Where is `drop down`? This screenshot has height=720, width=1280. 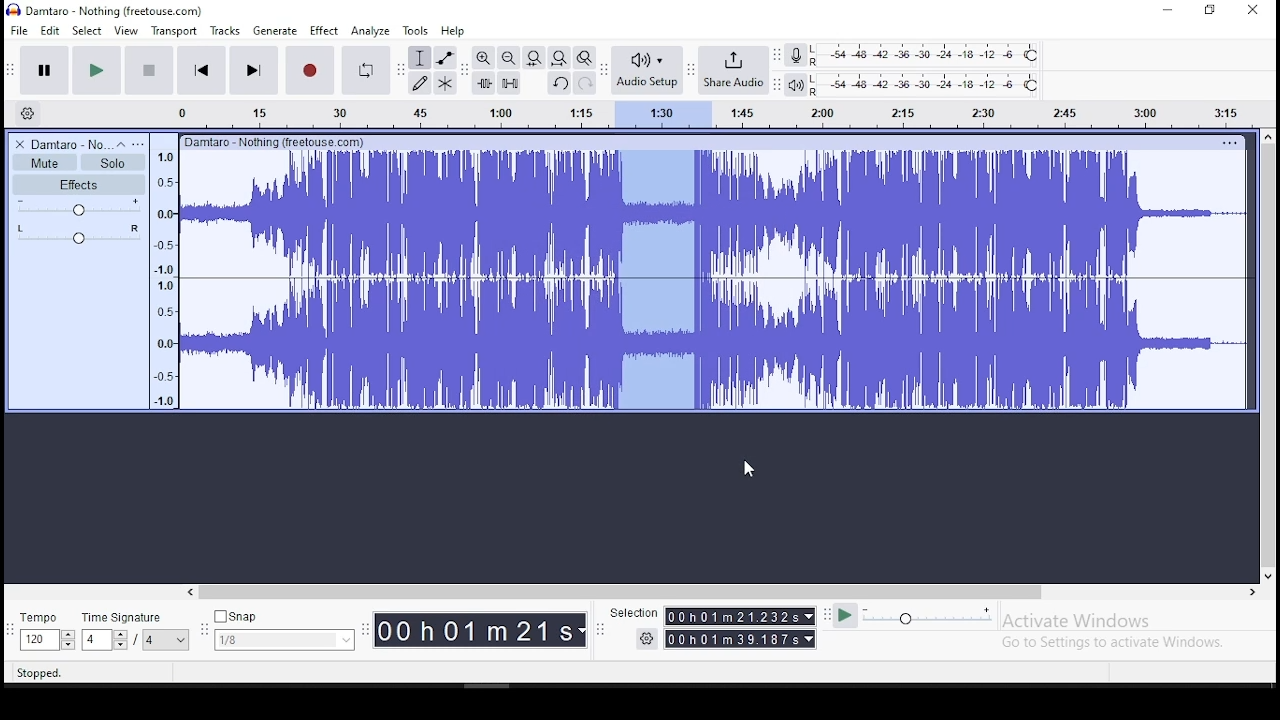
drop down is located at coordinates (811, 639).